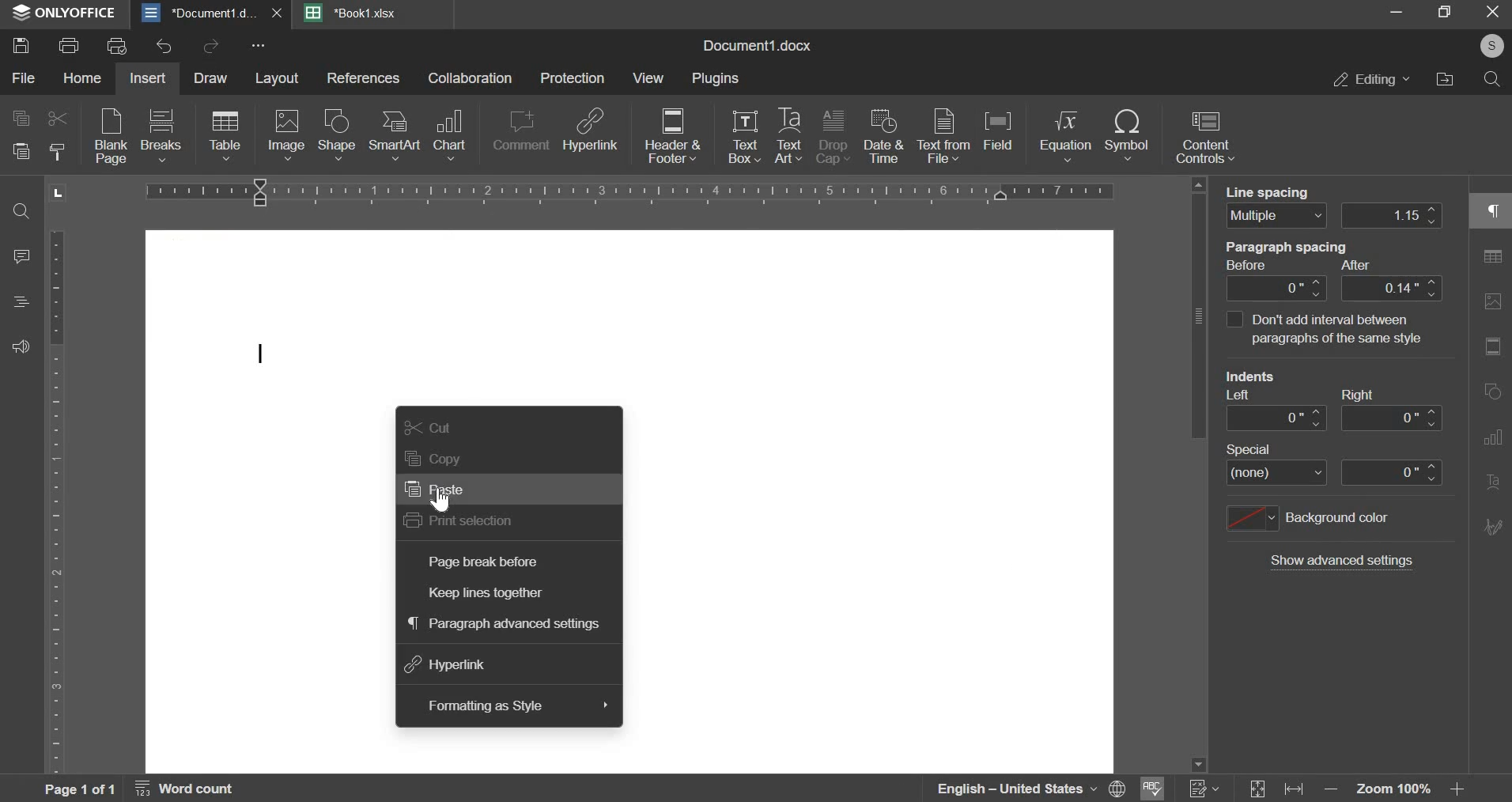 The width and height of the screenshot is (1512, 802). I want to click on draw, so click(210, 79).